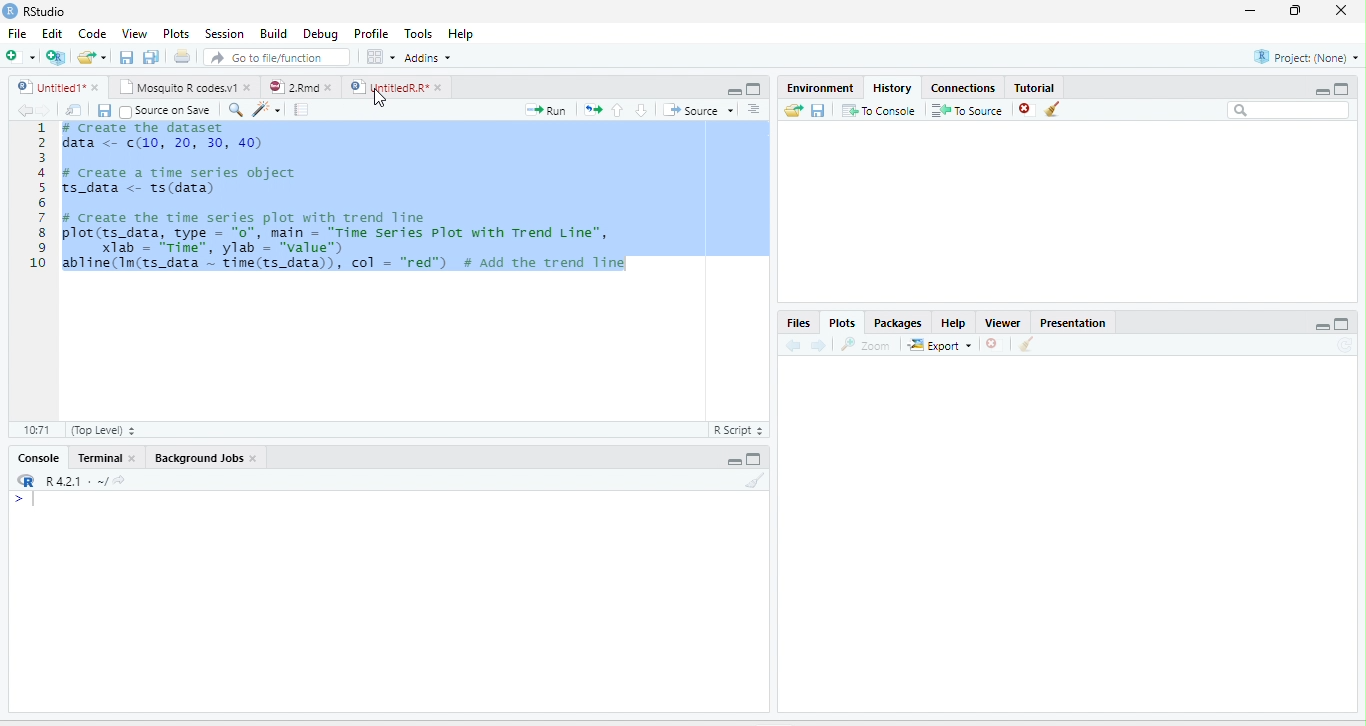  Describe the element at coordinates (151, 56) in the screenshot. I see `Save all open documents` at that location.